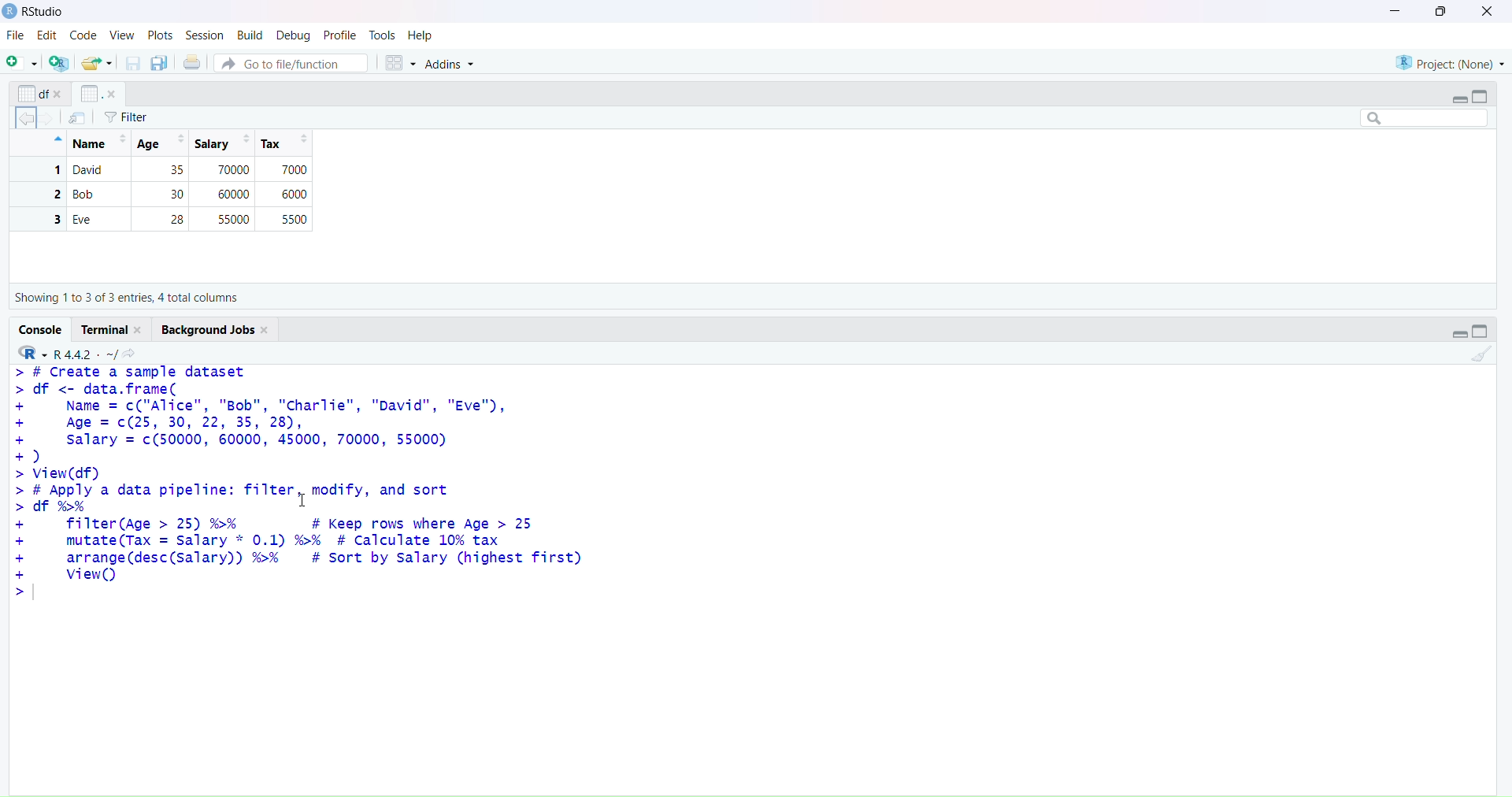  What do you see at coordinates (121, 34) in the screenshot?
I see `view` at bounding box center [121, 34].